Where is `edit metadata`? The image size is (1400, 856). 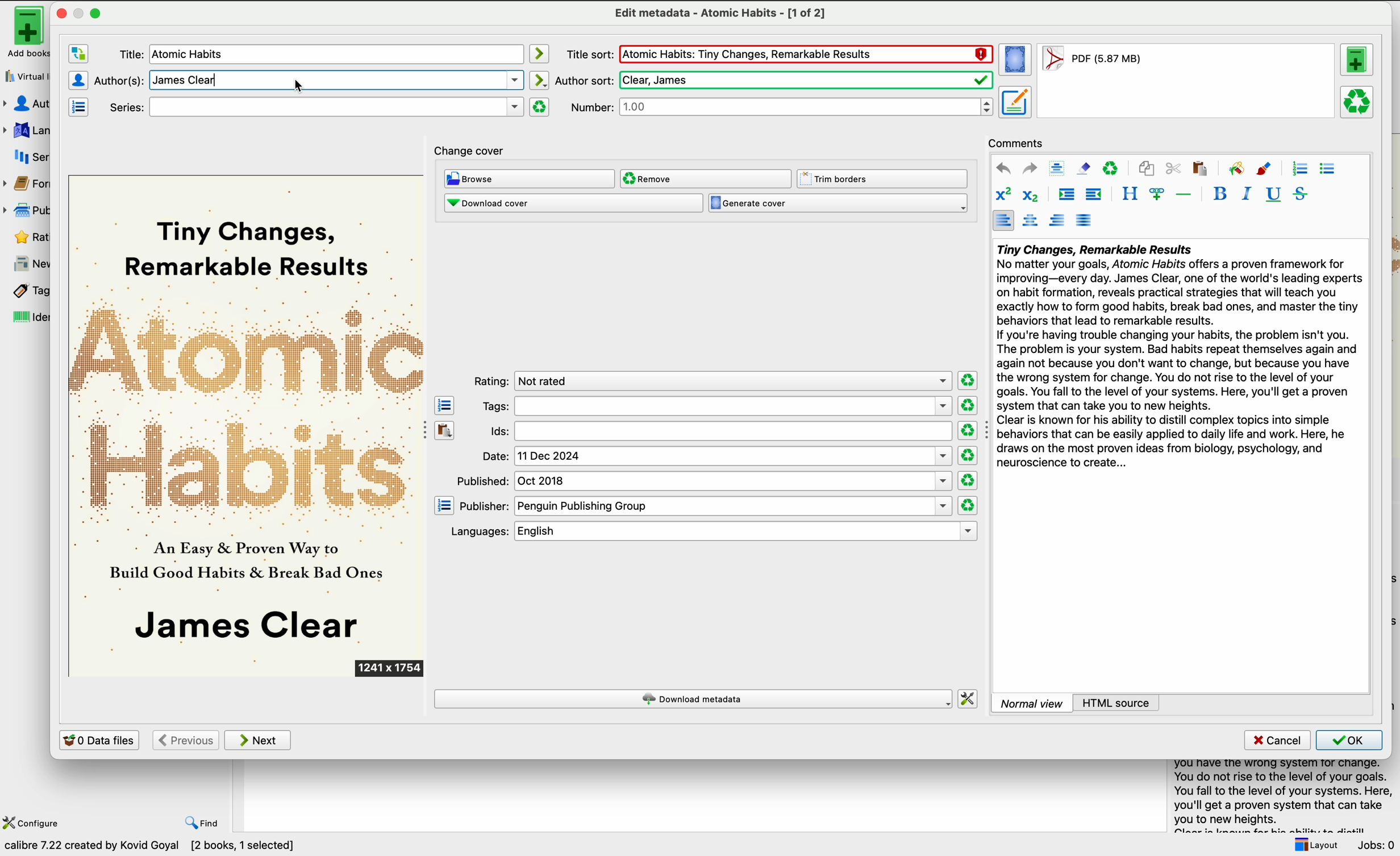 edit metadata is located at coordinates (719, 14).